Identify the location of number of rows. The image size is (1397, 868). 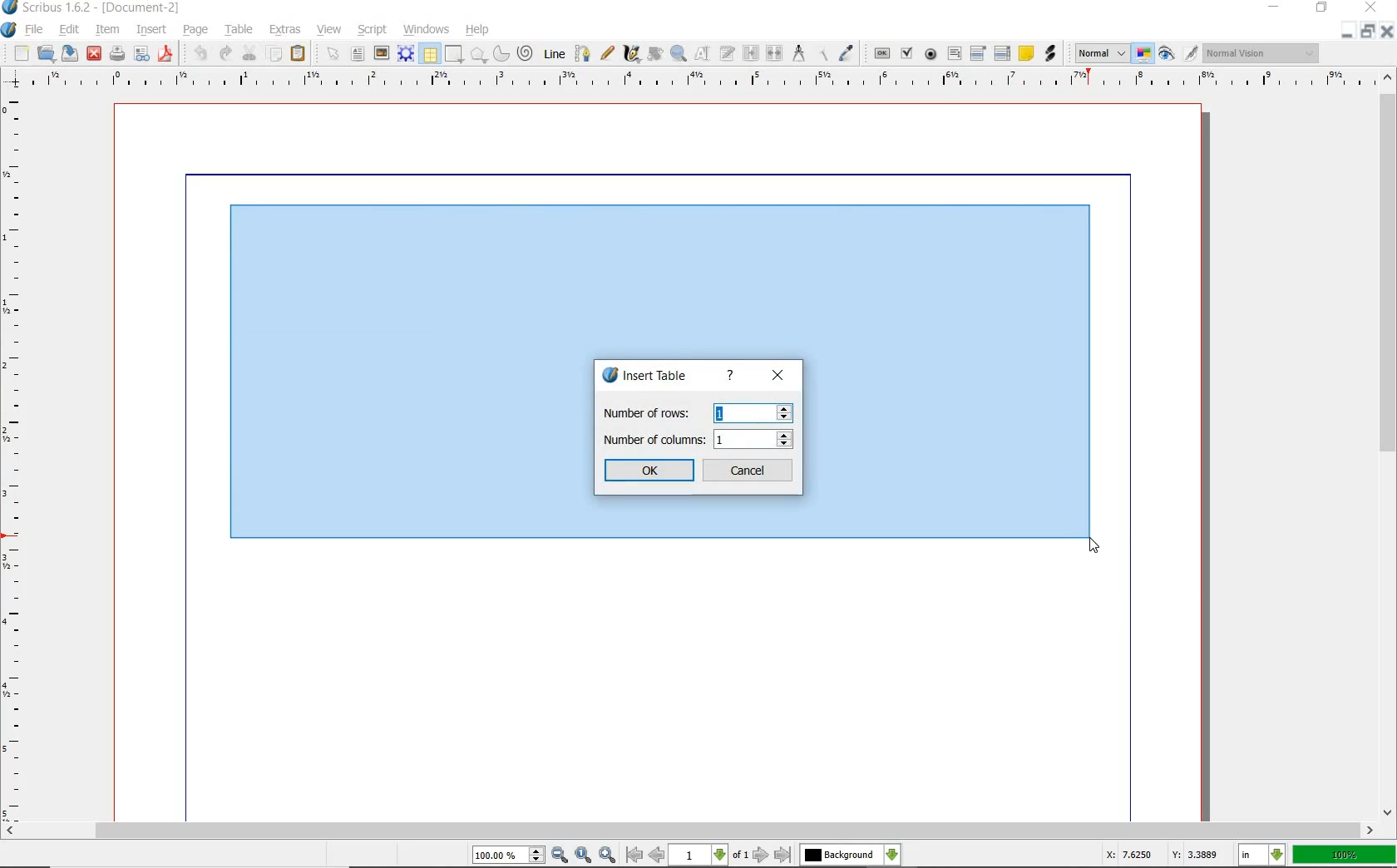
(753, 413).